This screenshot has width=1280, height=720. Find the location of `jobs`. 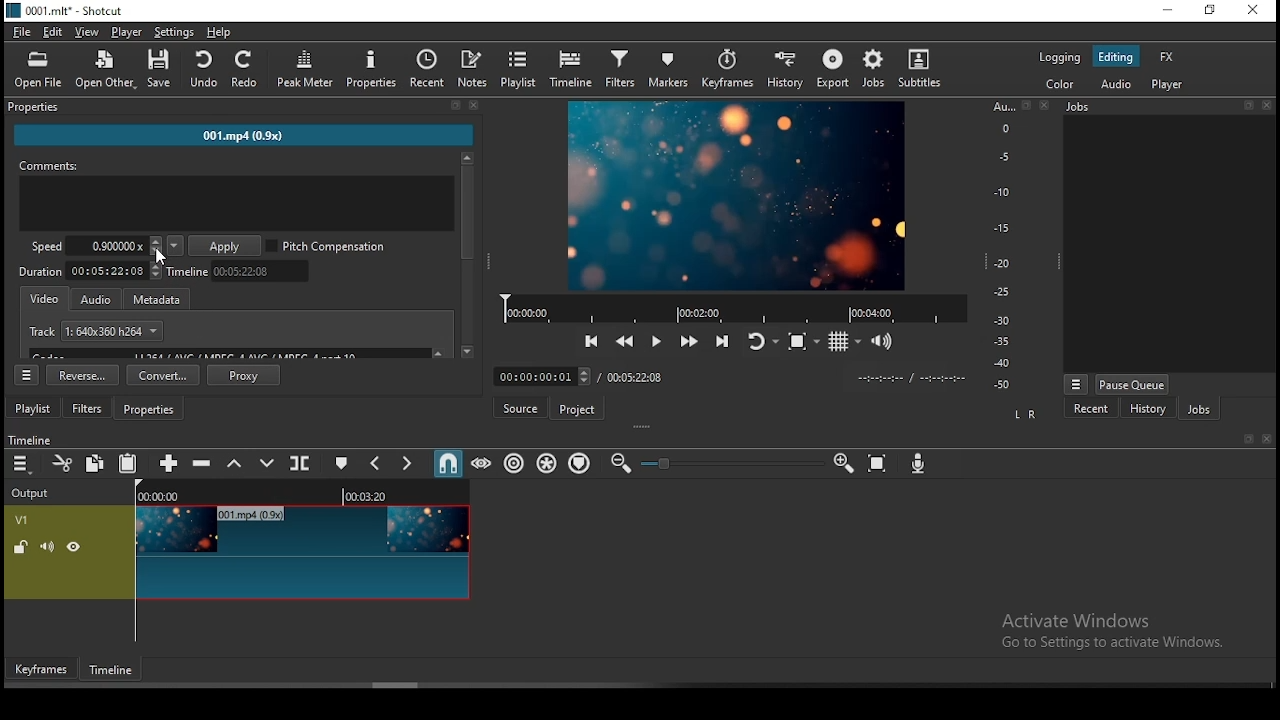

jobs is located at coordinates (1167, 108).